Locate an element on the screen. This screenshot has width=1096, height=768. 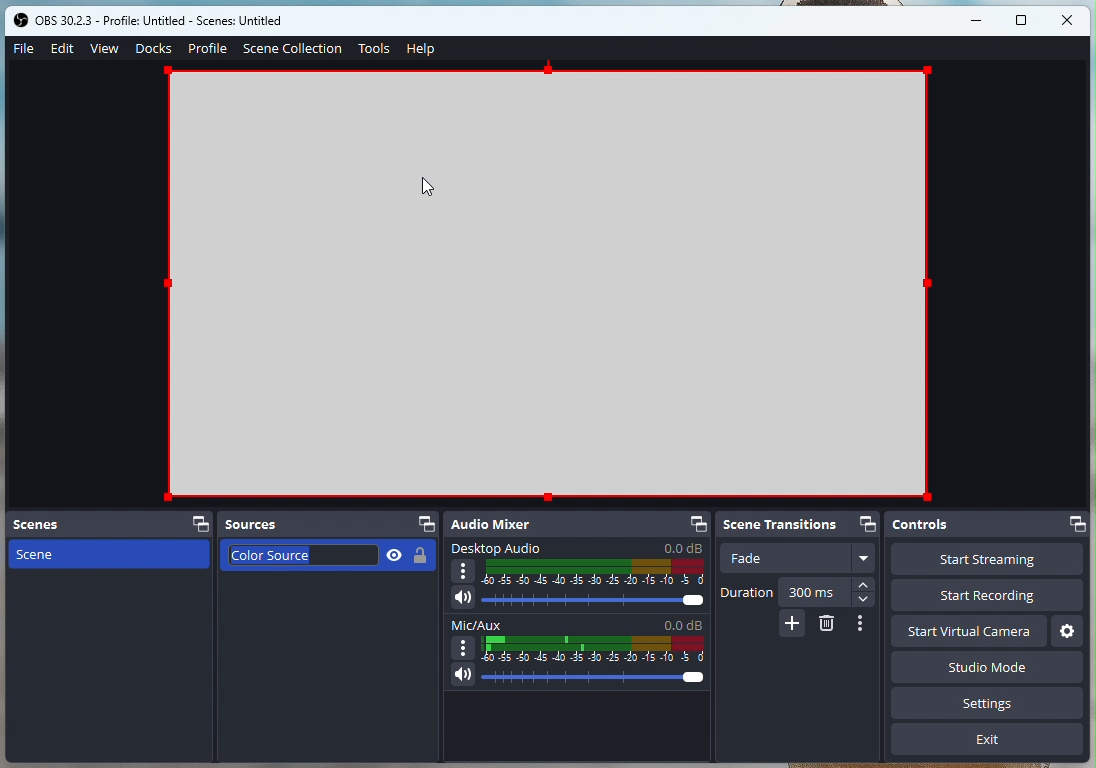
Mic/Aux is located at coordinates (577, 654).